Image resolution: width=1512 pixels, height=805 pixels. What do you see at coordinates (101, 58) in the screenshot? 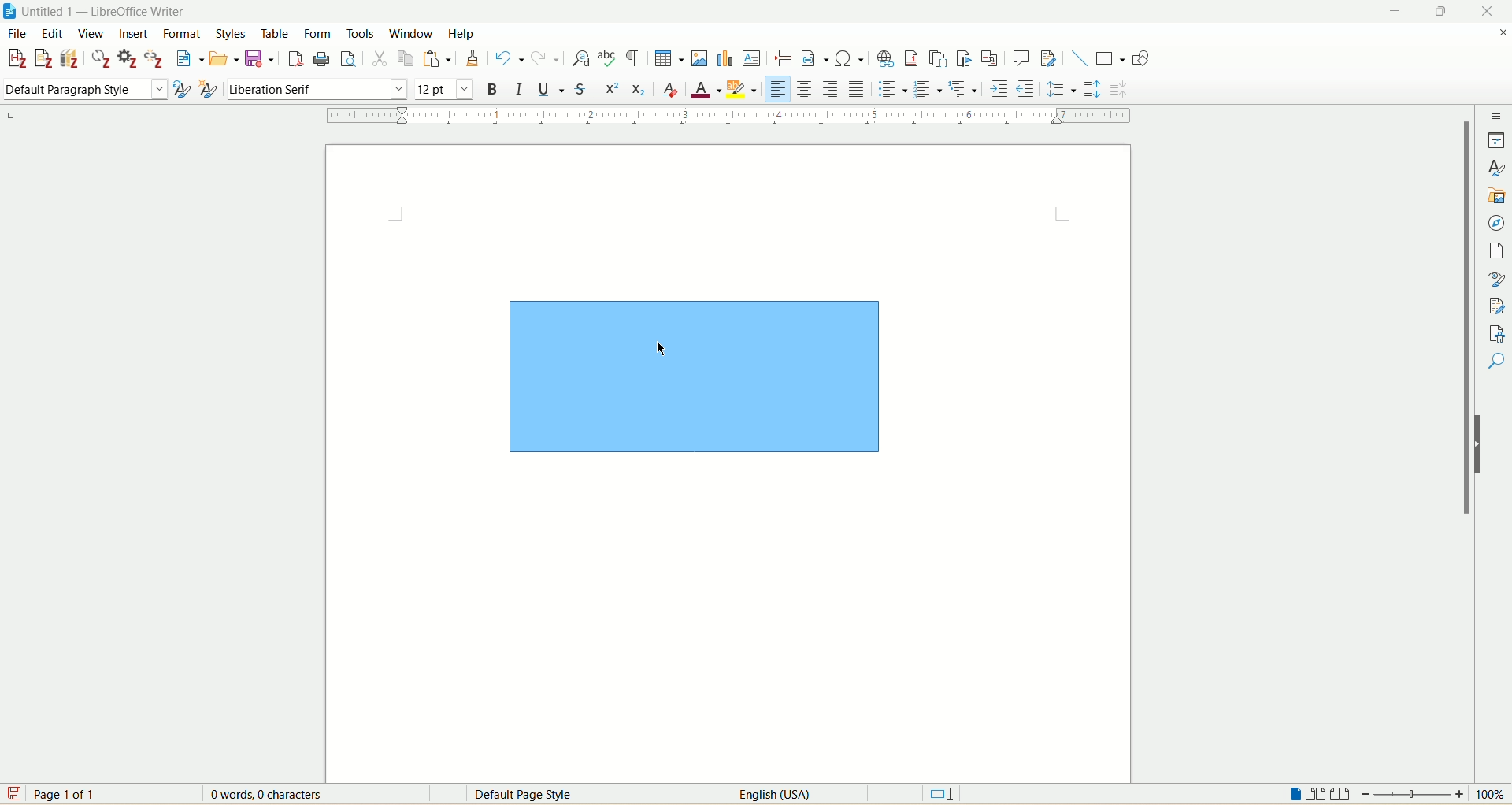
I see `refresh` at bounding box center [101, 58].